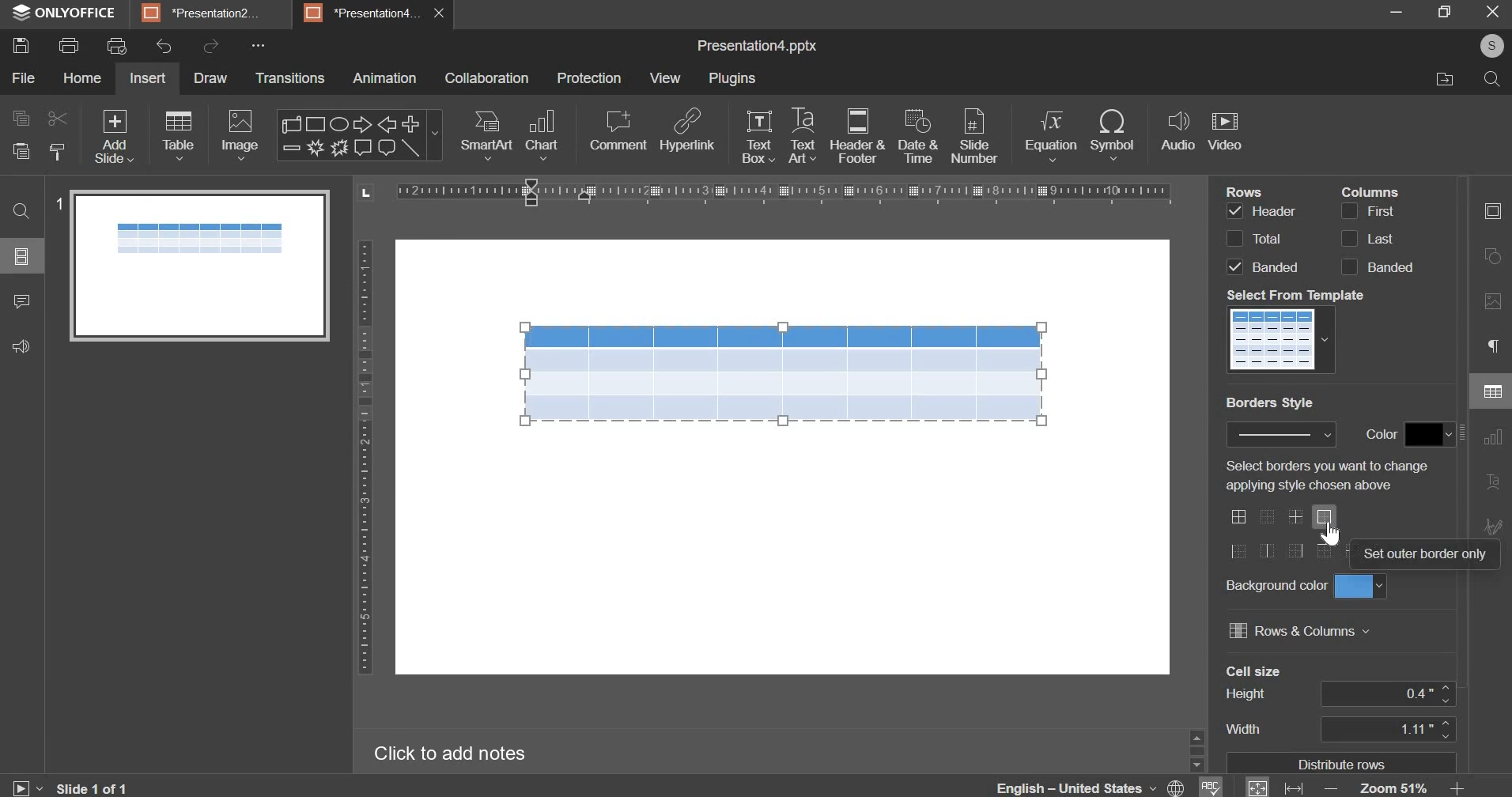  Describe the element at coordinates (164, 46) in the screenshot. I see `undo` at that location.